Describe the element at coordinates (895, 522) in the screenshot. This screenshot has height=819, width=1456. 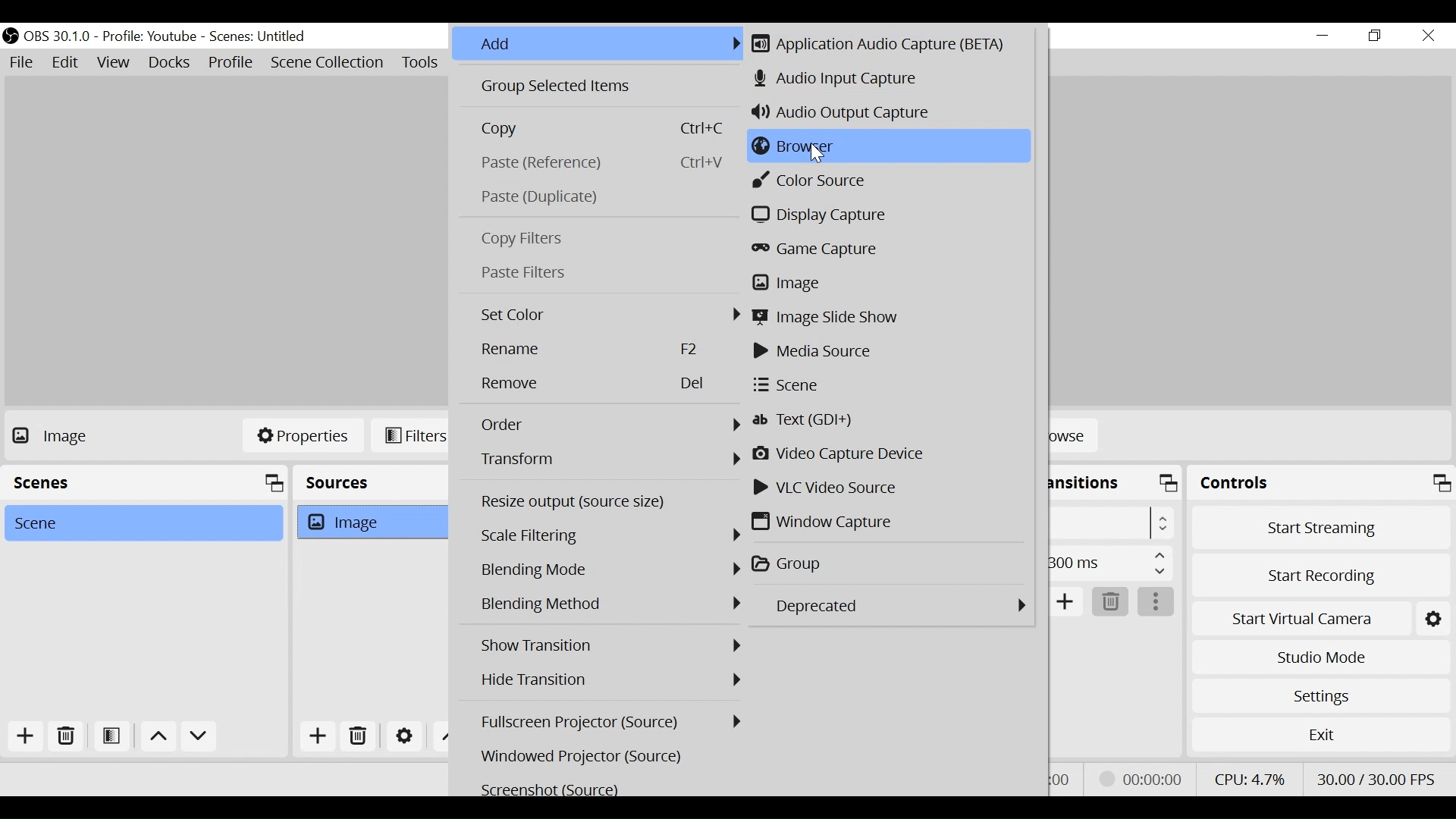
I see `Window Video Capture` at that location.